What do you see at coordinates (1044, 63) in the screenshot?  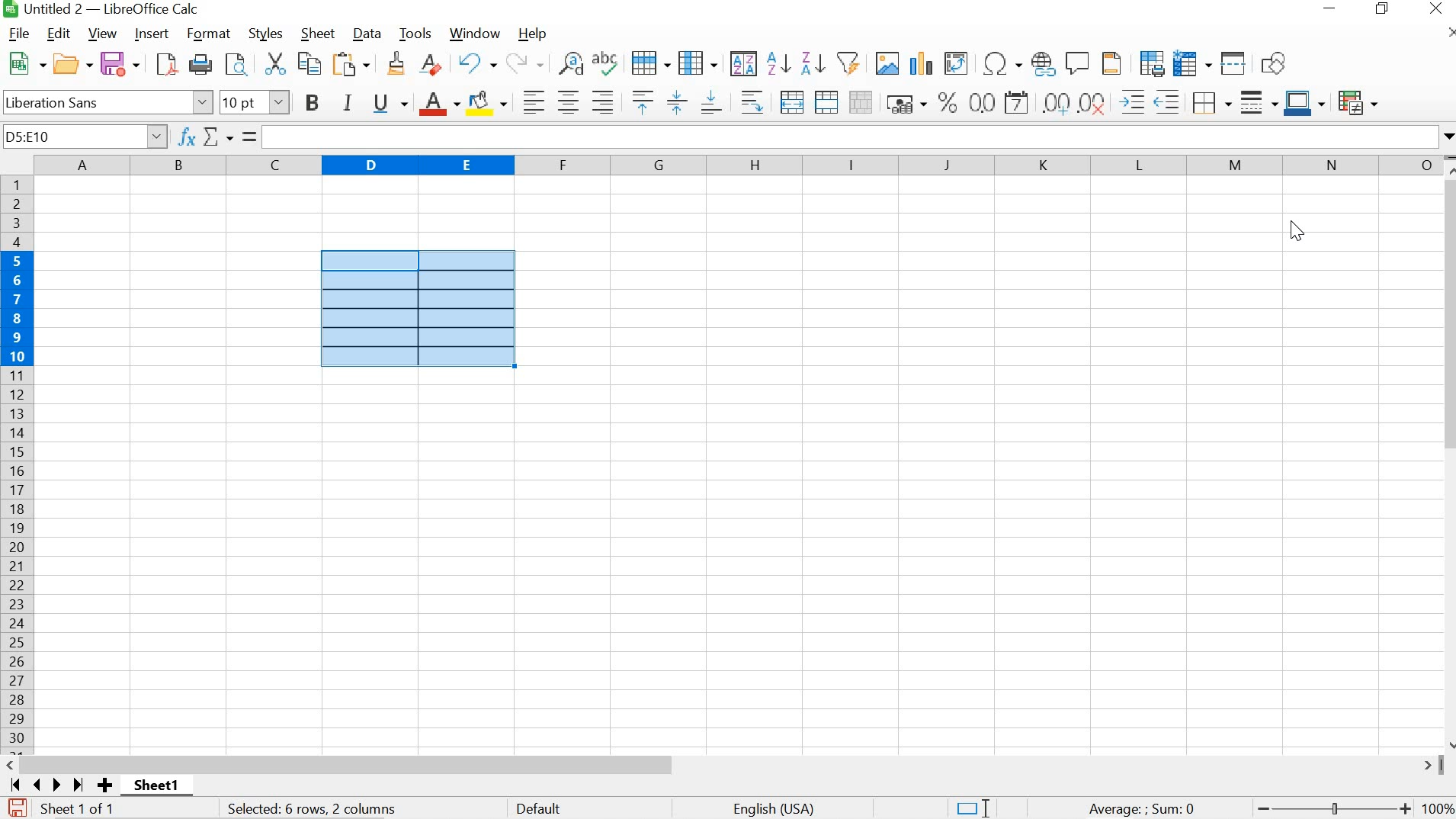 I see `insert hyperlink` at bounding box center [1044, 63].